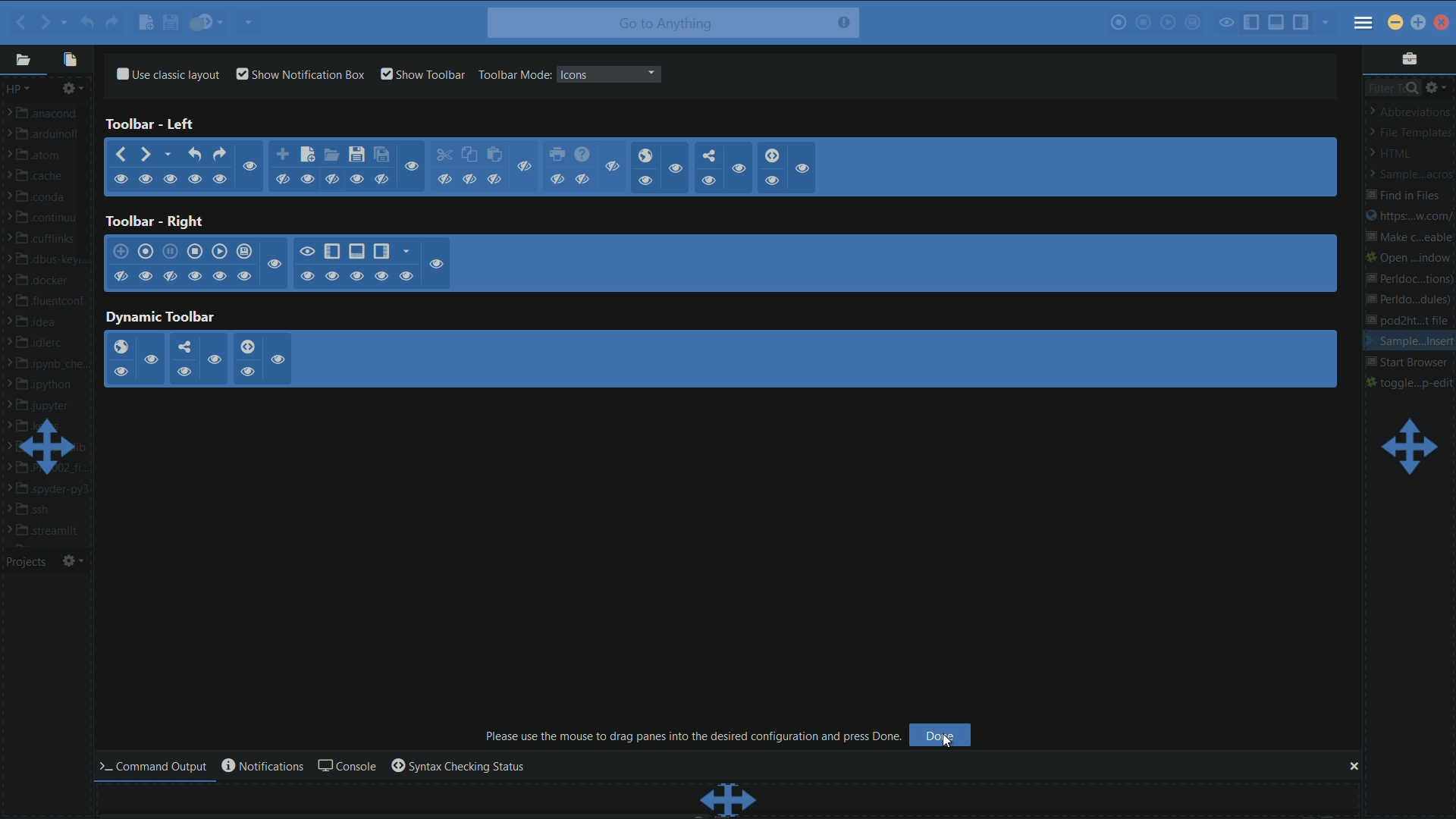 The width and height of the screenshot is (1456, 819). Describe the element at coordinates (182, 347) in the screenshot. I see `share current file` at that location.